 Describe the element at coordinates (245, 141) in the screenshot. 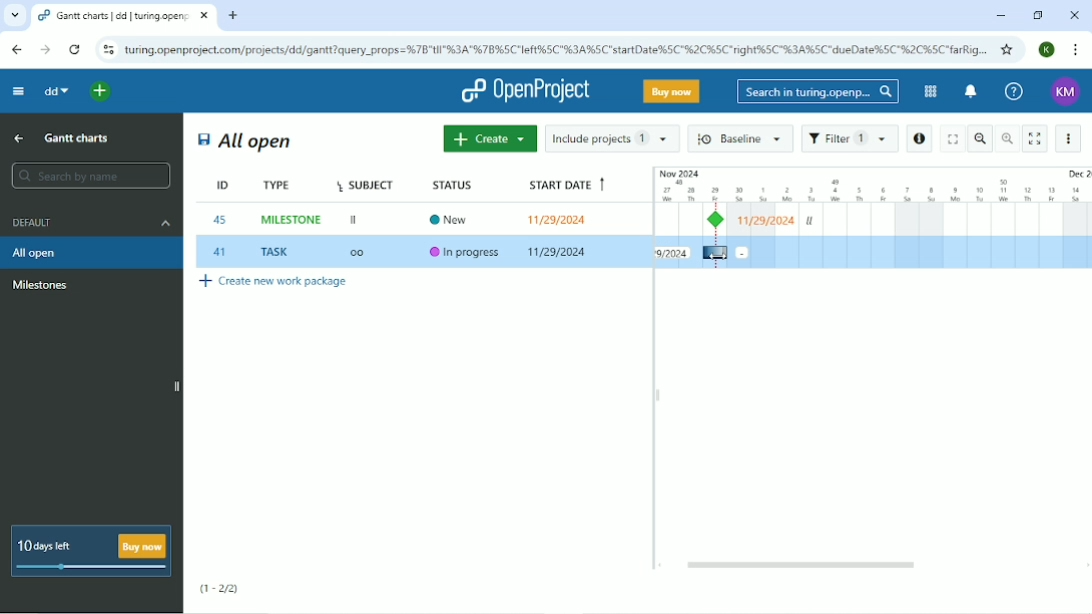

I see `All open` at that location.